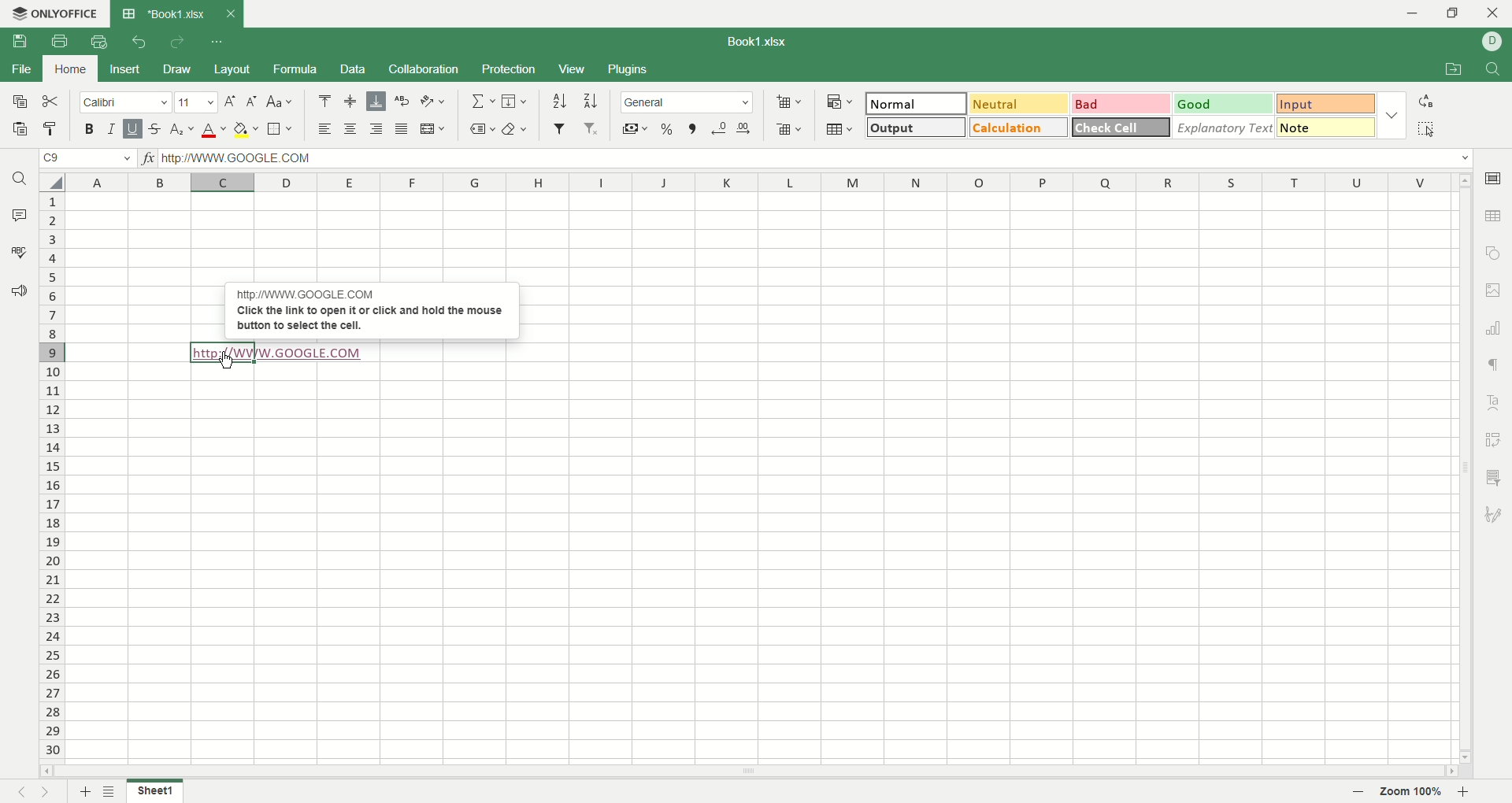 This screenshot has height=803, width=1512. I want to click on percent style, so click(666, 129).